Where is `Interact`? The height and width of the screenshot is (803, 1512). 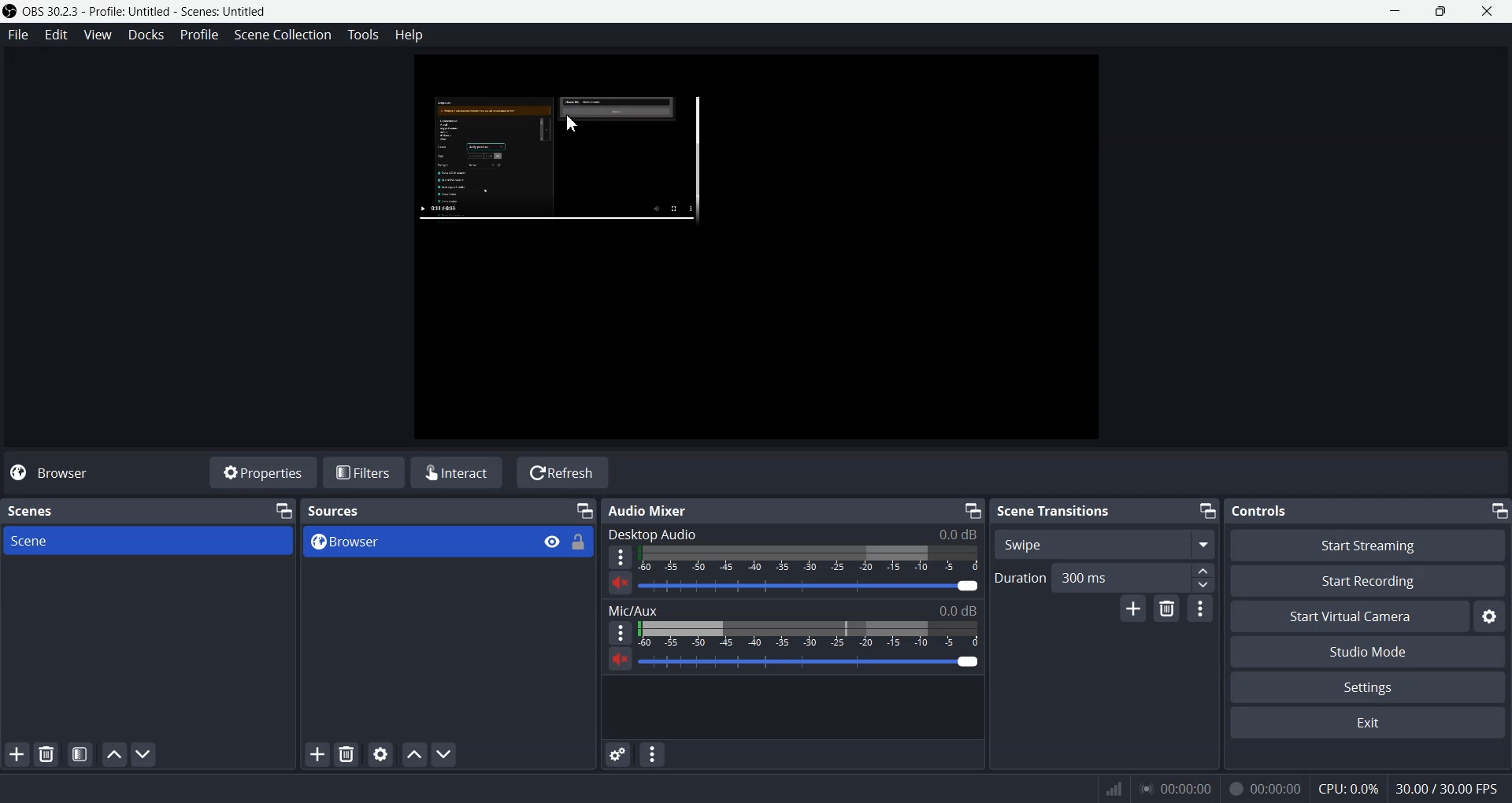
Interact is located at coordinates (458, 472).